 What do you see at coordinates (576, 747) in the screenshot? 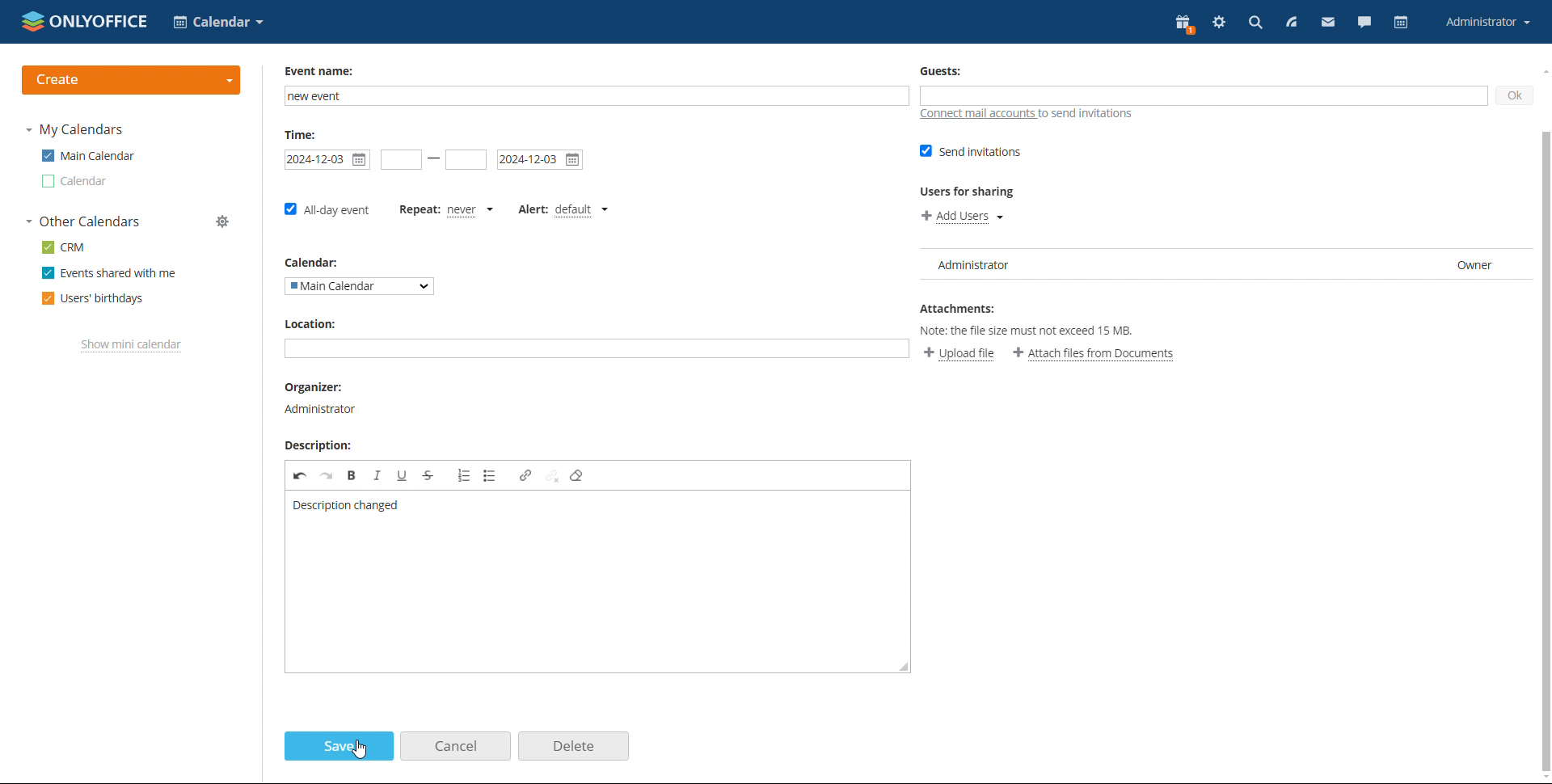
I see `delete` at bounding box center [576, 747].